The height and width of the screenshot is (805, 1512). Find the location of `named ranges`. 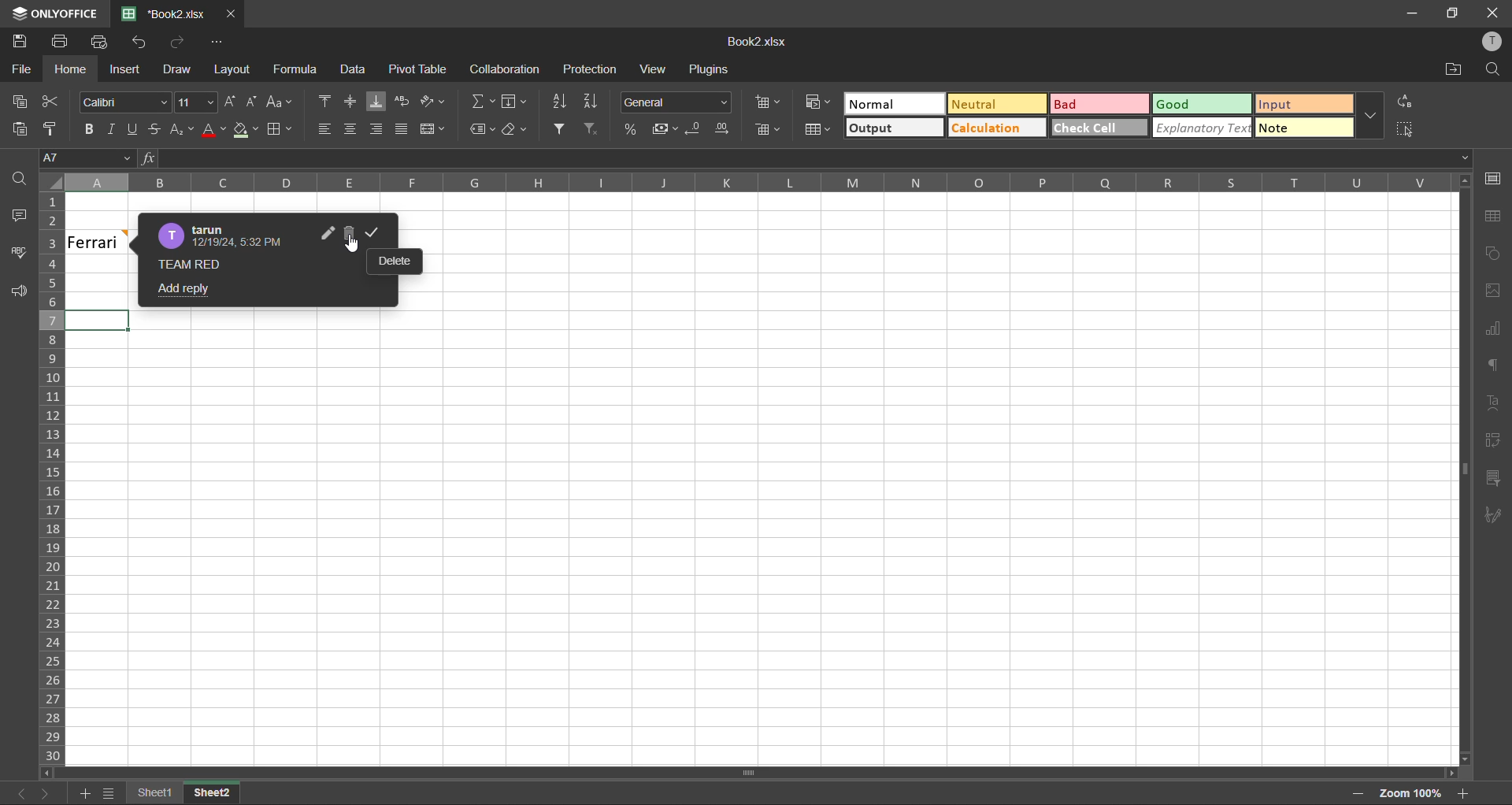

named ranges is located at coordinates (482, 130).